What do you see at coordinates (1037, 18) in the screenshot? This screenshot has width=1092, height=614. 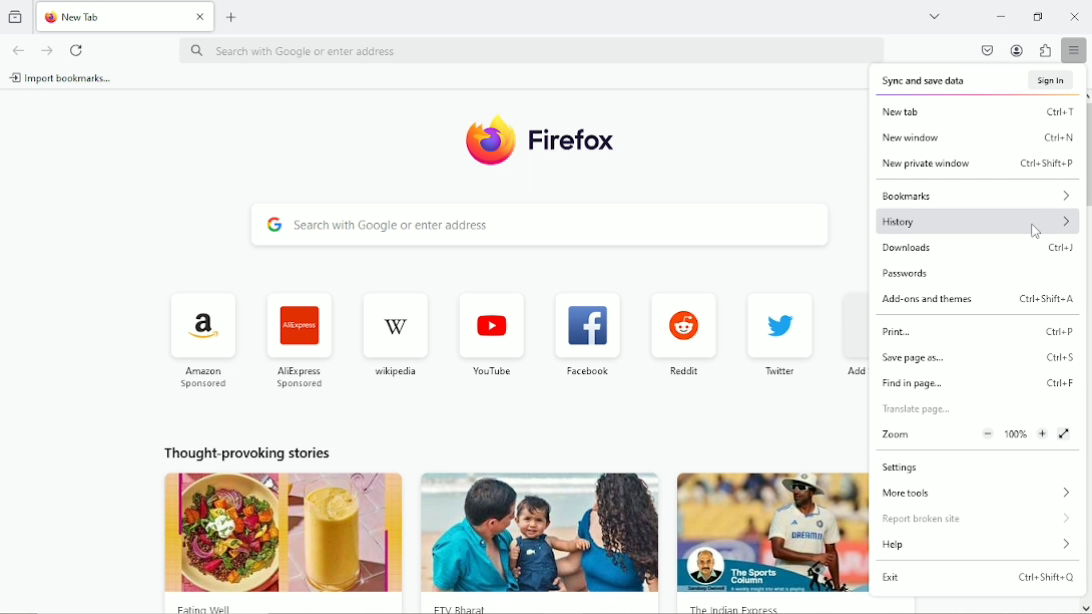 I see `restore down` at bounding box center [1037, 18].